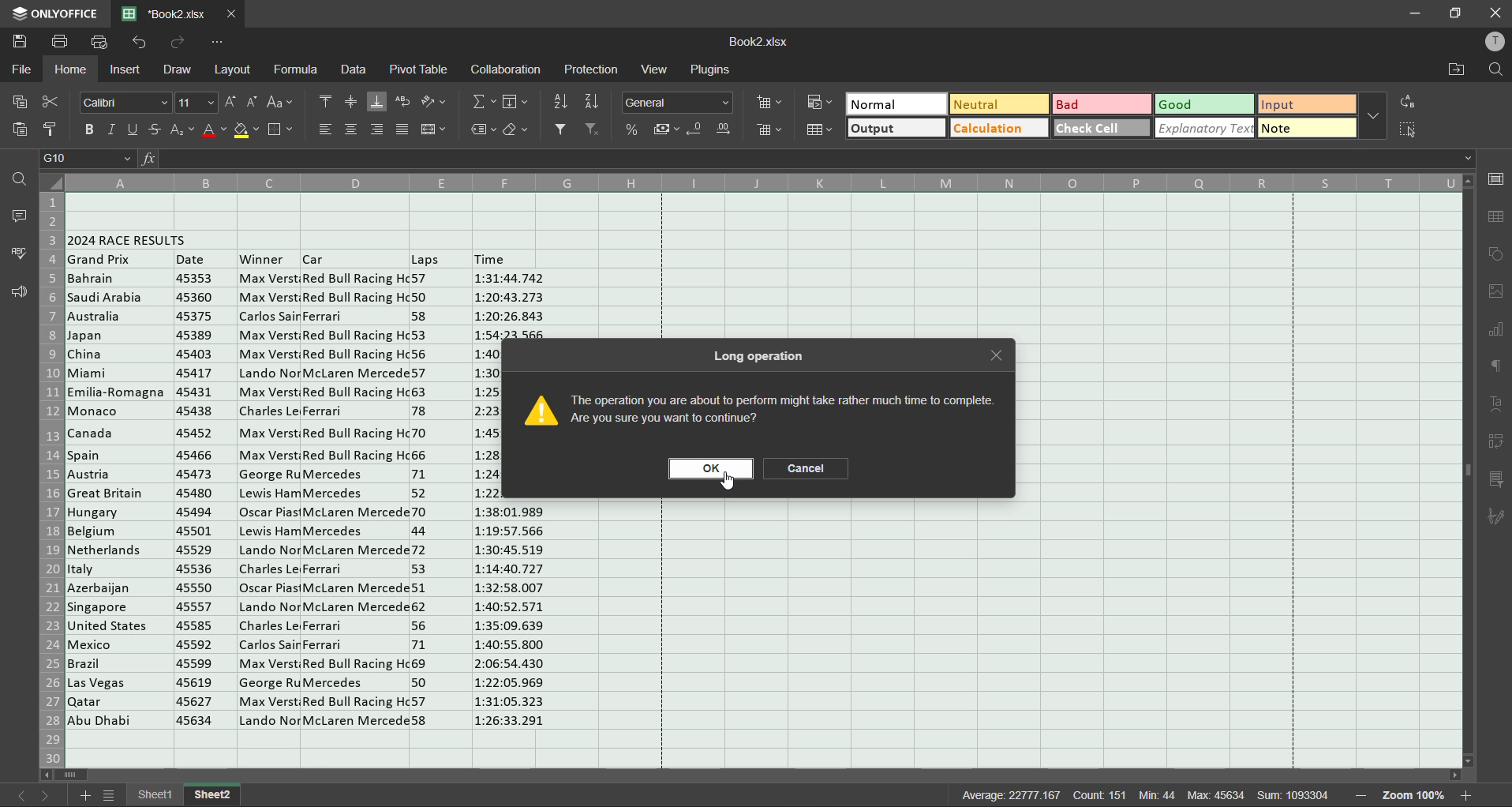  Describe the element at coordinates (1408, 133) in the screenshot. I see `select cells` at that location.